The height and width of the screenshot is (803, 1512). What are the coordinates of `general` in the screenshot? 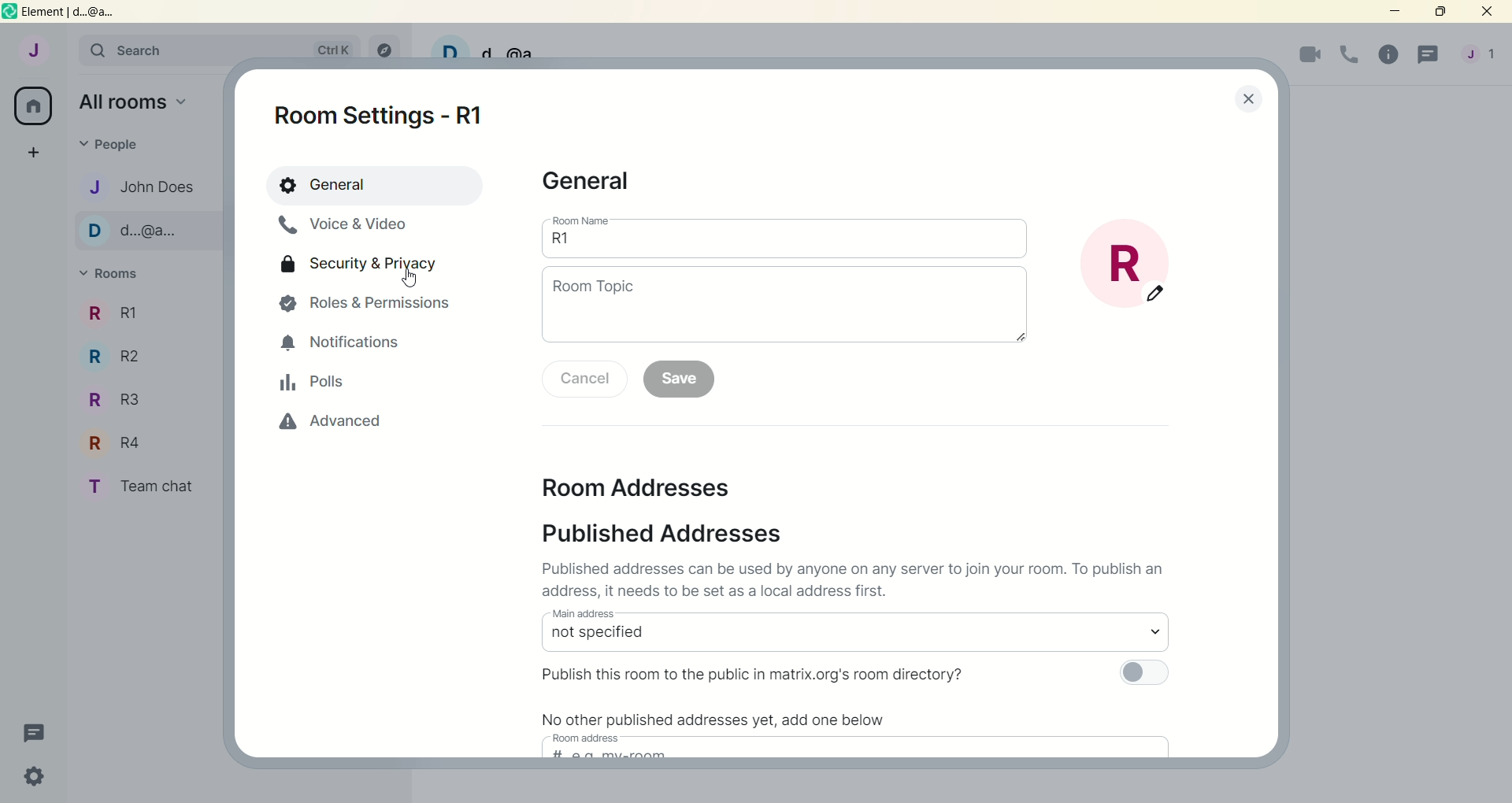 It's located at (376, 187).